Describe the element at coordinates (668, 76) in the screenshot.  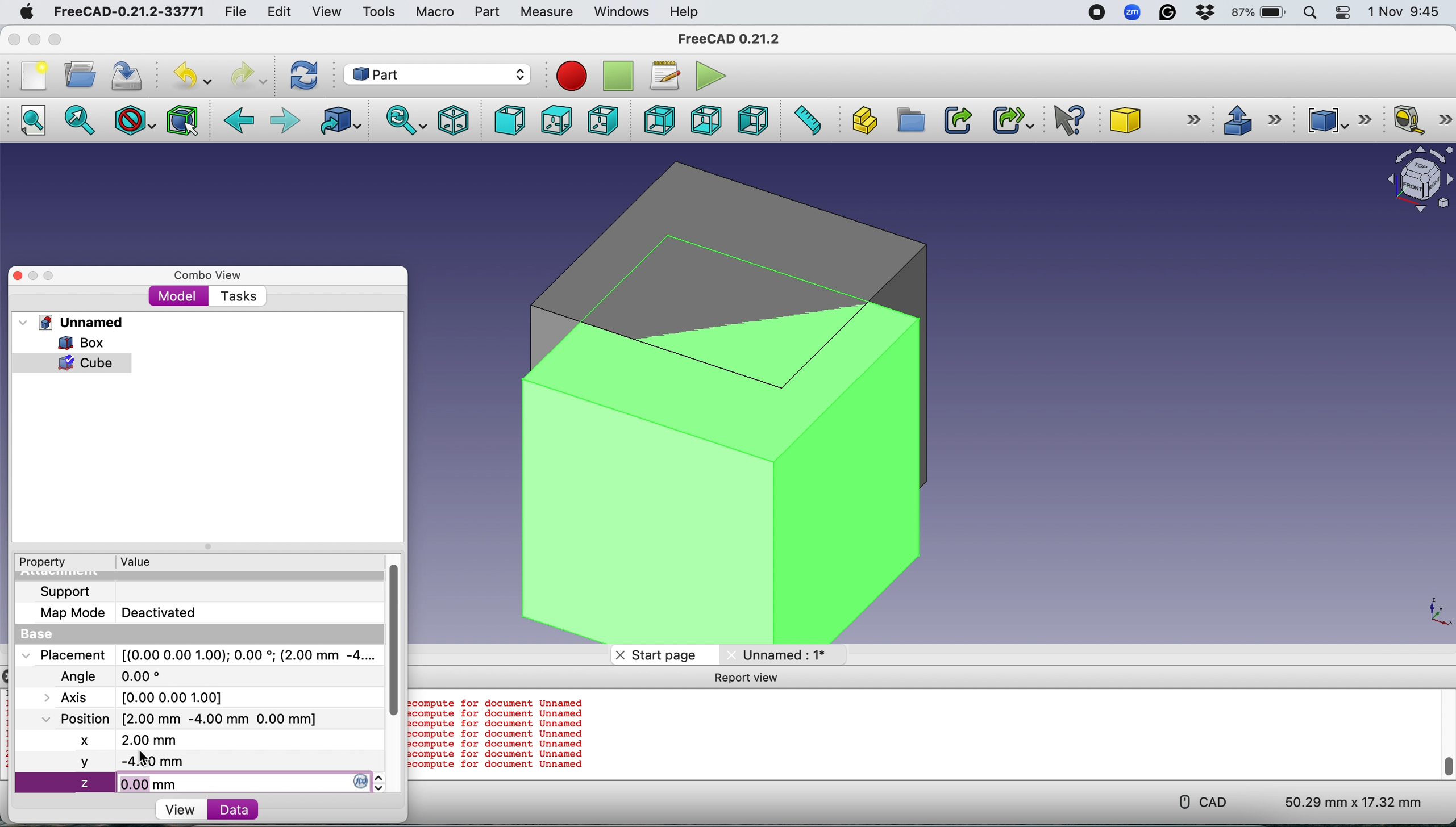
I see `Macros` at that location.